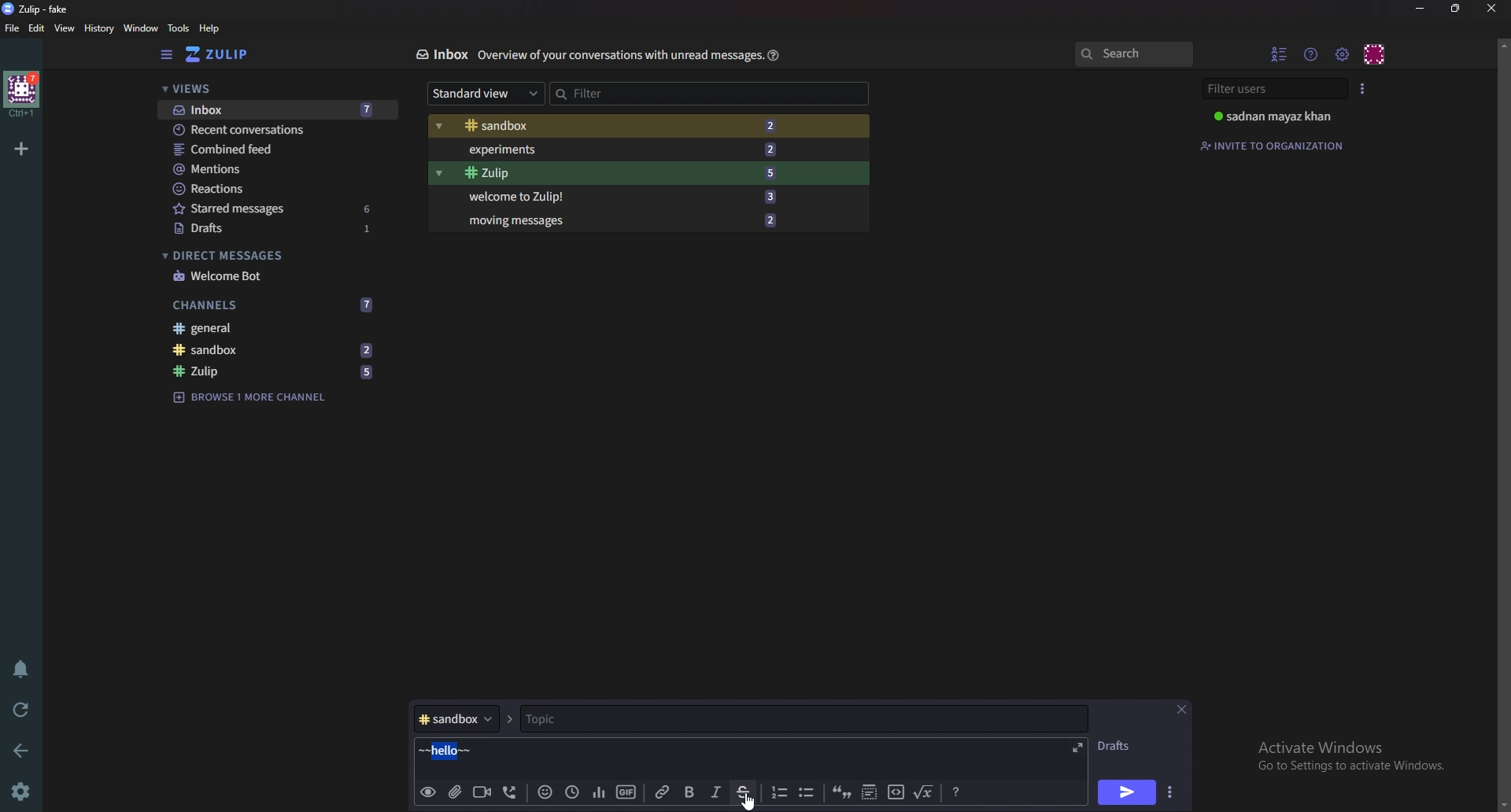 Image resolution: width=1511 pixels, height=812 pixels. Describe the element at coordinates (745, 793) in the screenshot. I see `Strike through` at that location.